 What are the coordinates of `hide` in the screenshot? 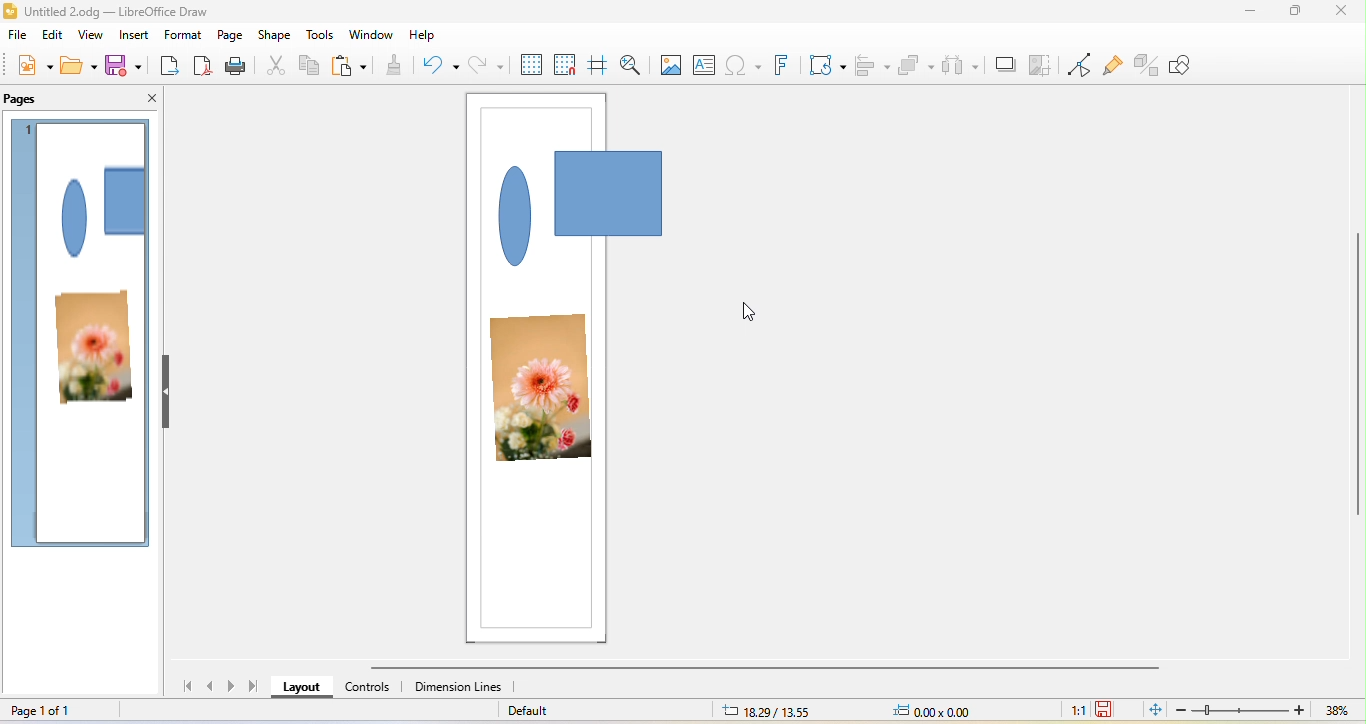 It's located at (165, 393).